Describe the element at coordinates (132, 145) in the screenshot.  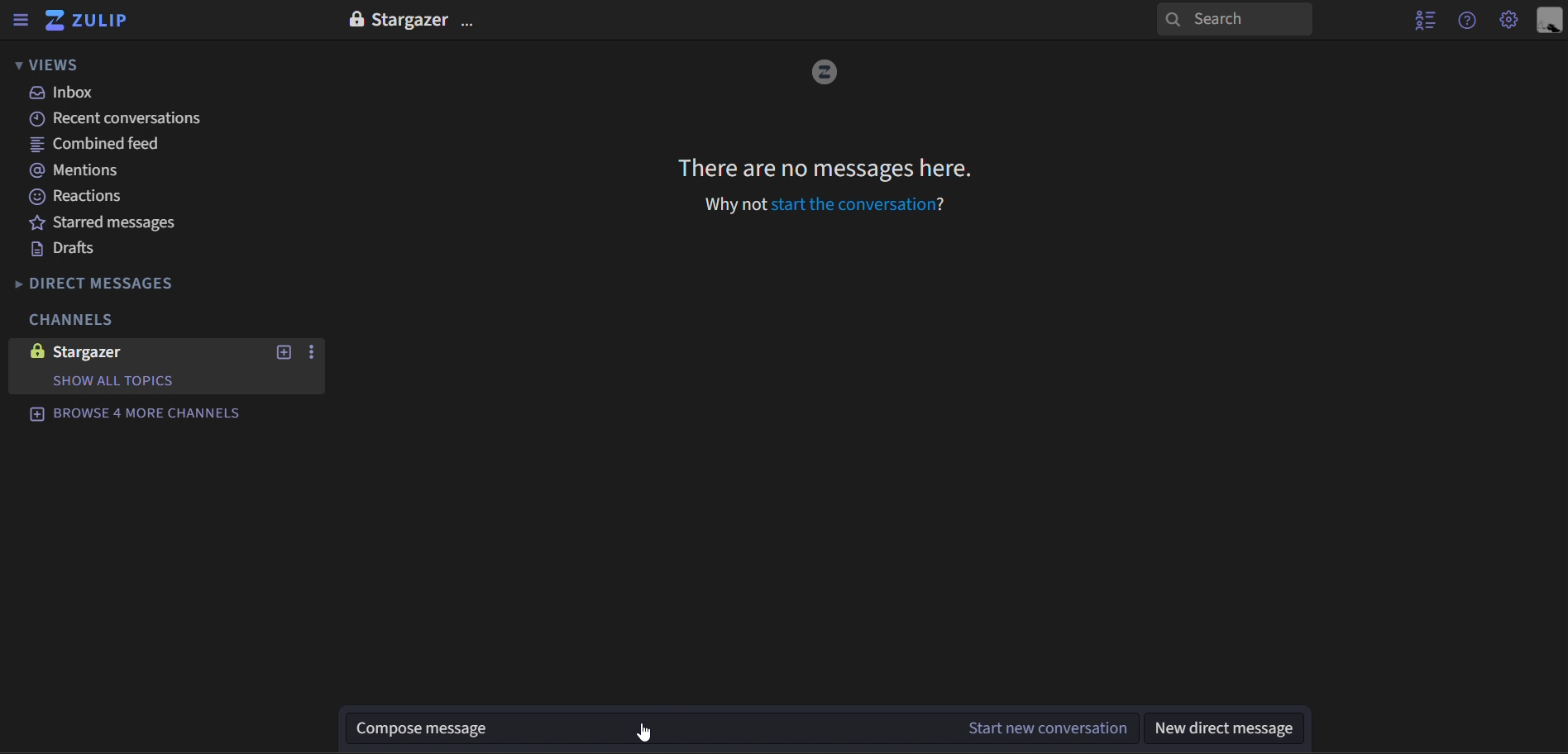
I see `combined feed` at that location.